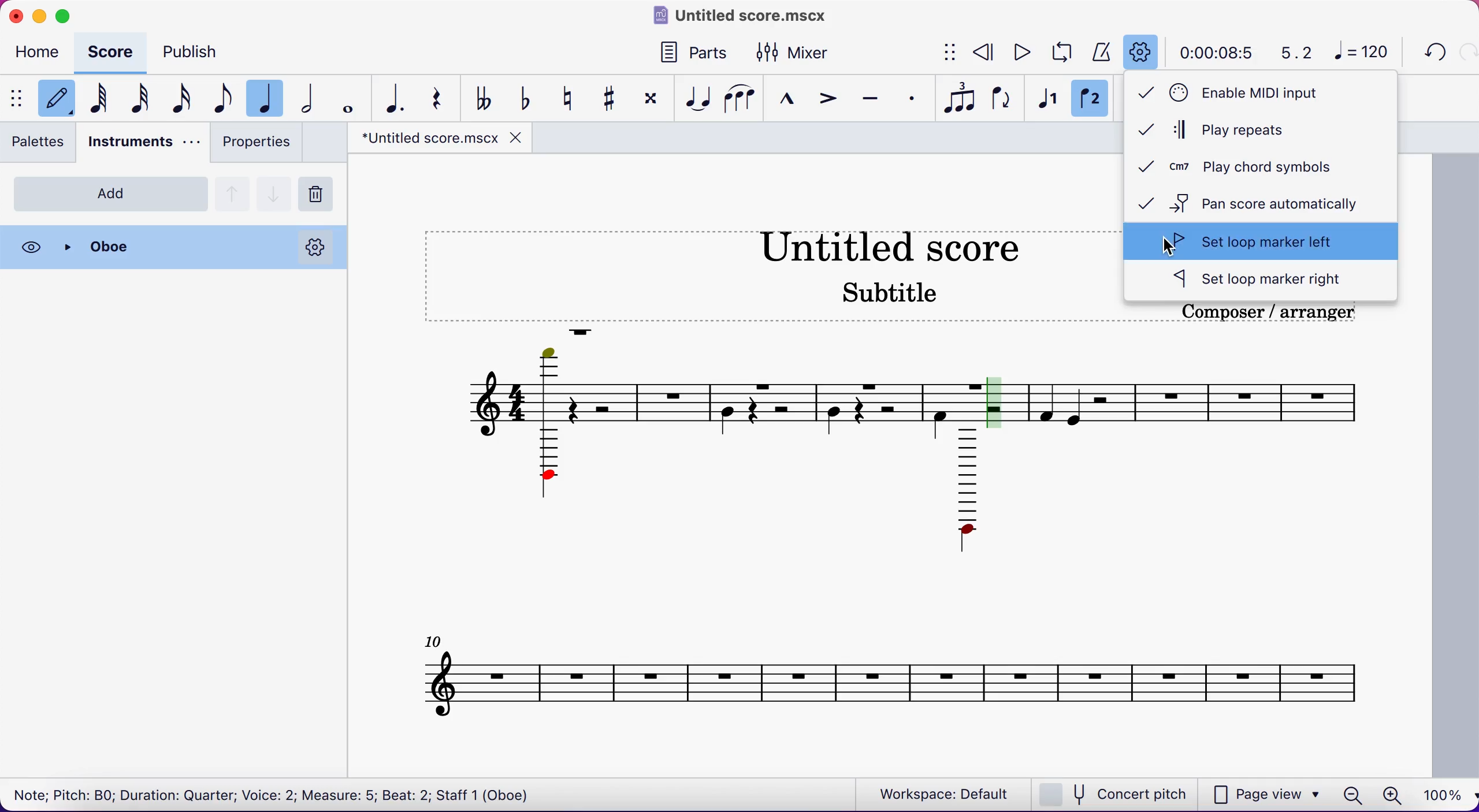 The height and width of the screenshot is (812, 1479). I want to click on remove, so click(320, 195).